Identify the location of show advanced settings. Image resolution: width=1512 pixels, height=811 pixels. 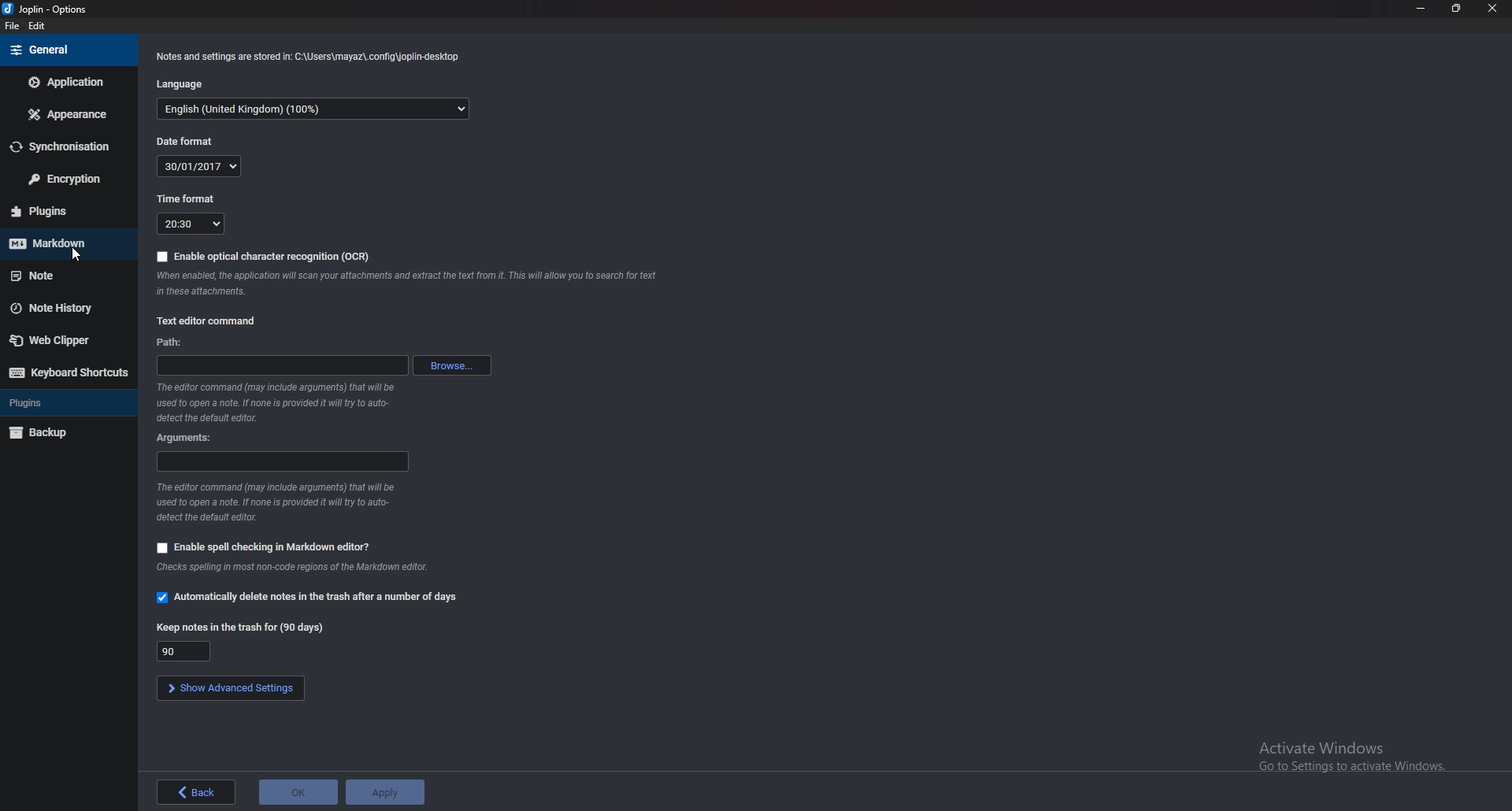
(234, 688).